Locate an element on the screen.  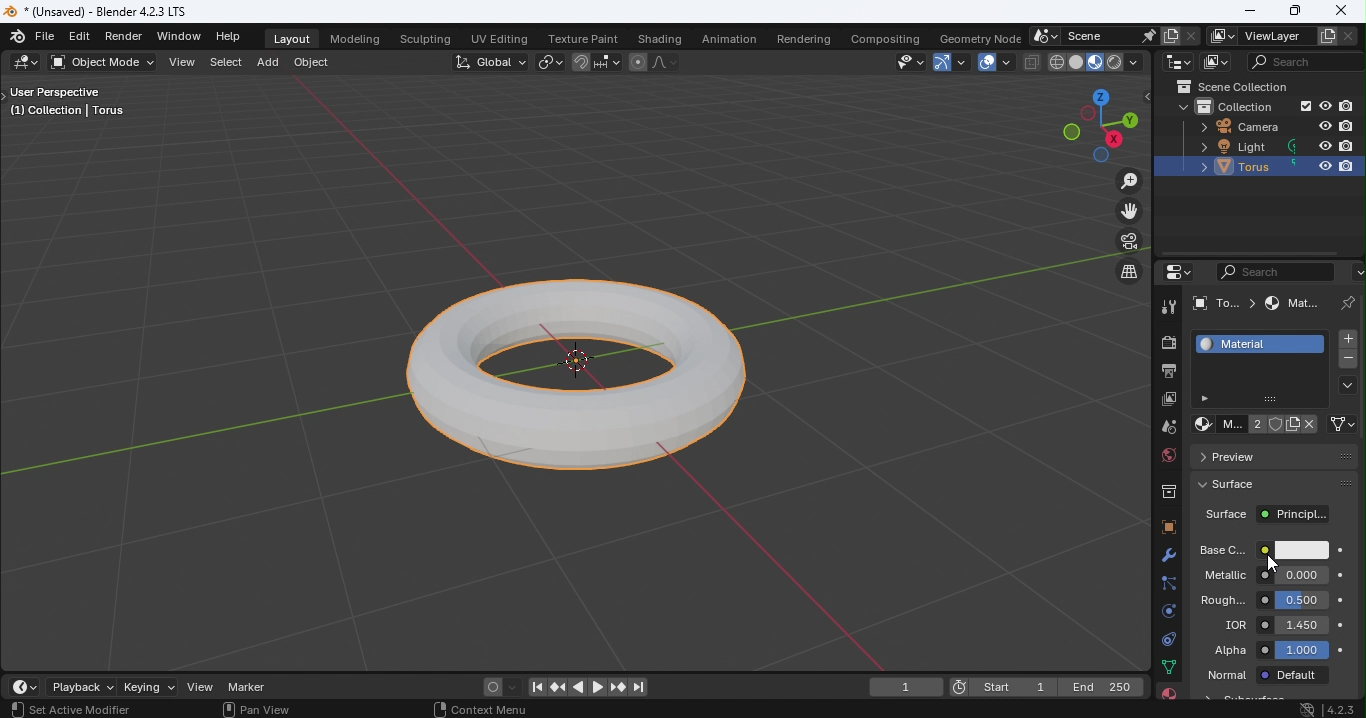
Pin scene to workspace is located at coordinates (1146, 35).